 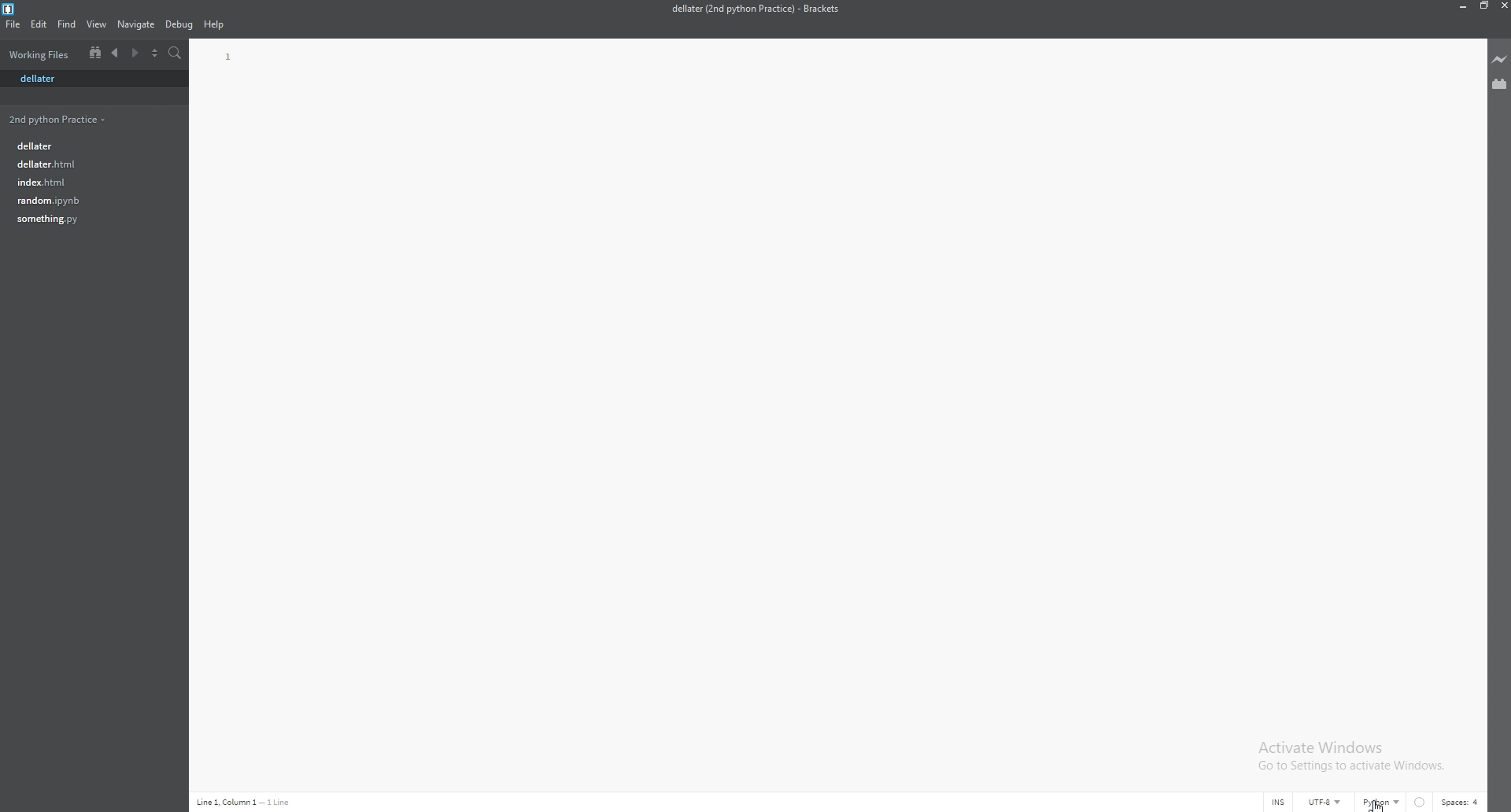 What do you see at coordinates (39, 24) in the screenshot?
I see `edit` at bounding box center [39, 24].